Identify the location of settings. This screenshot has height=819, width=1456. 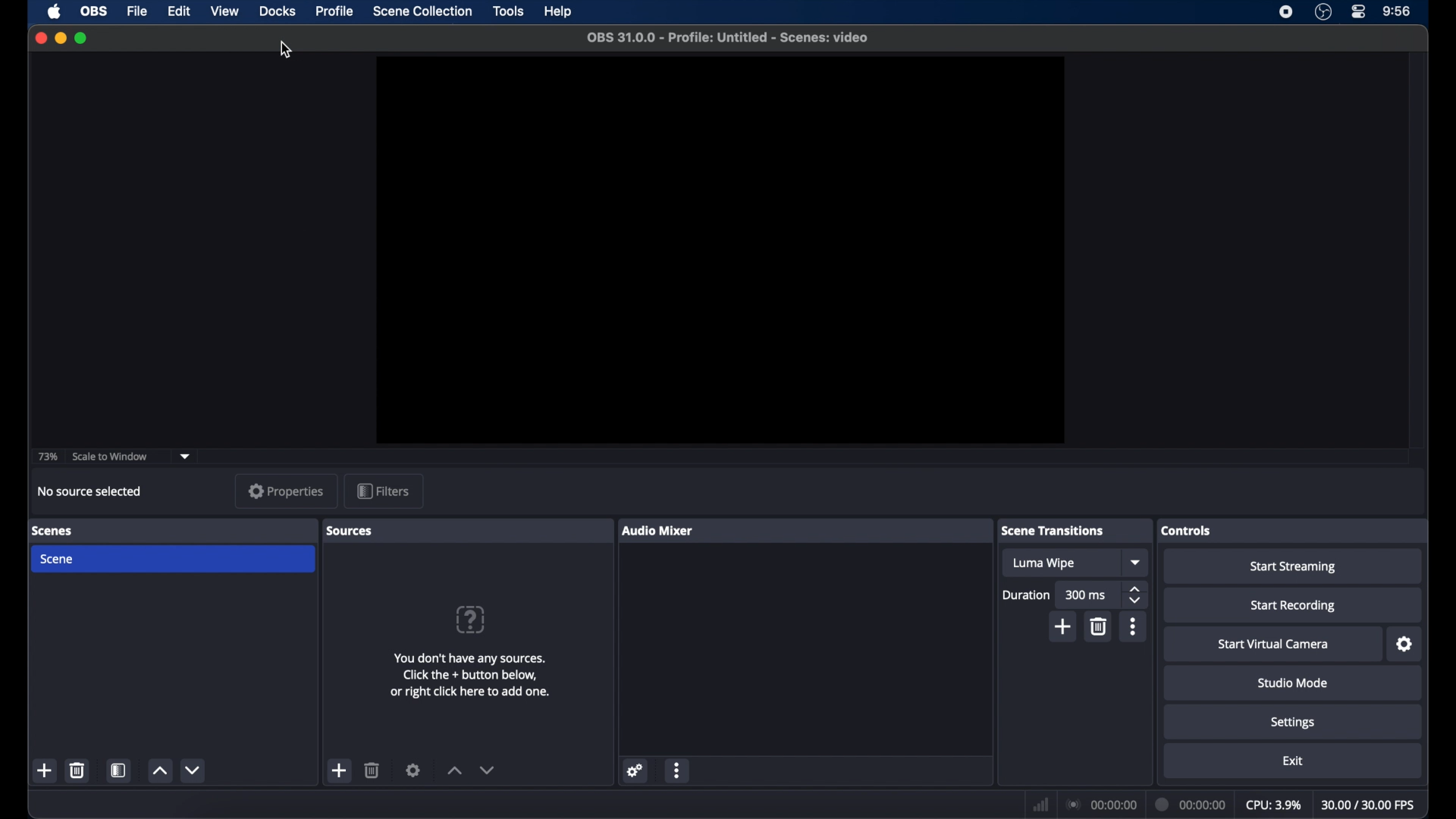
(413, 770).